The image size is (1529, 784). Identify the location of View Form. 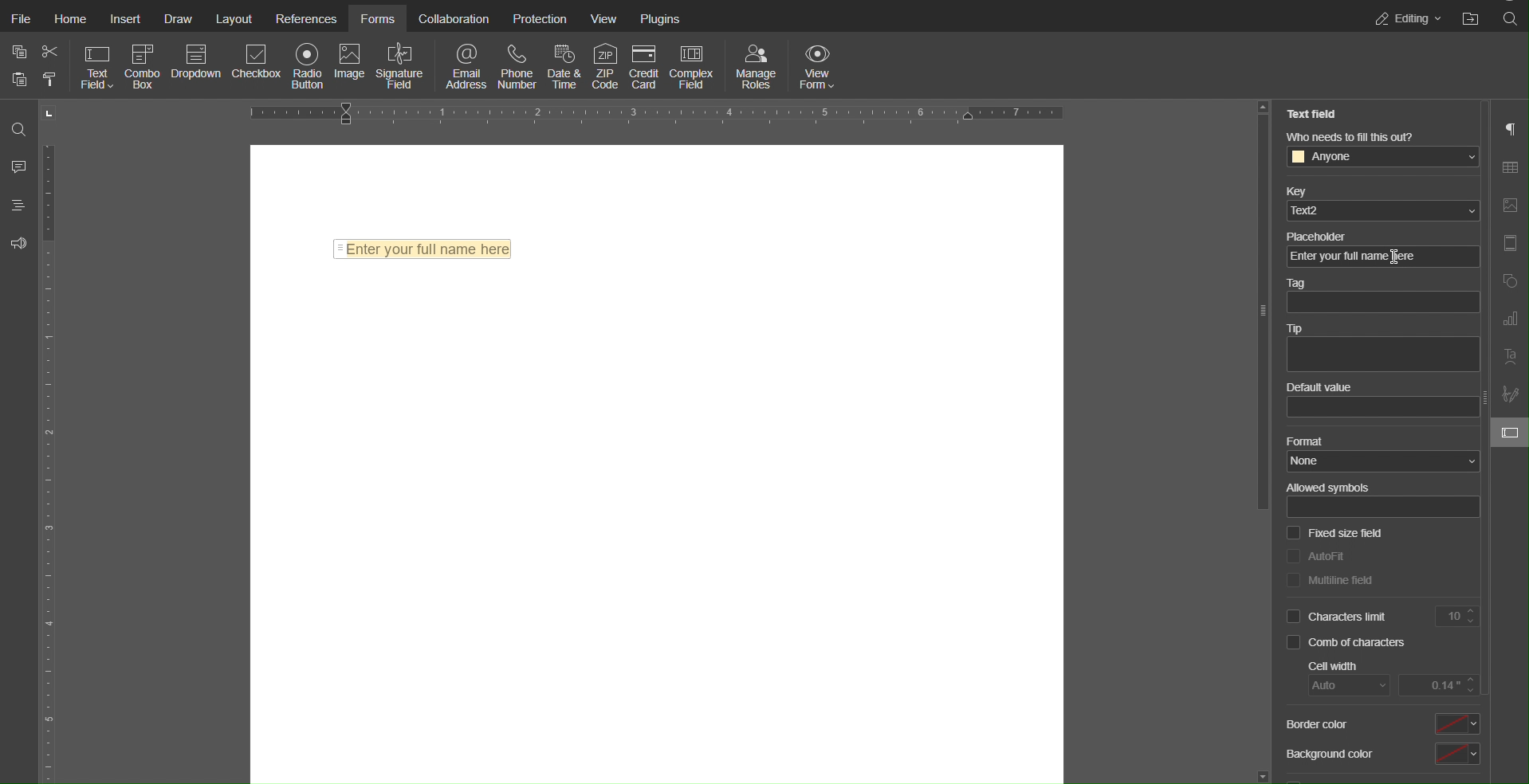
(820, 66).